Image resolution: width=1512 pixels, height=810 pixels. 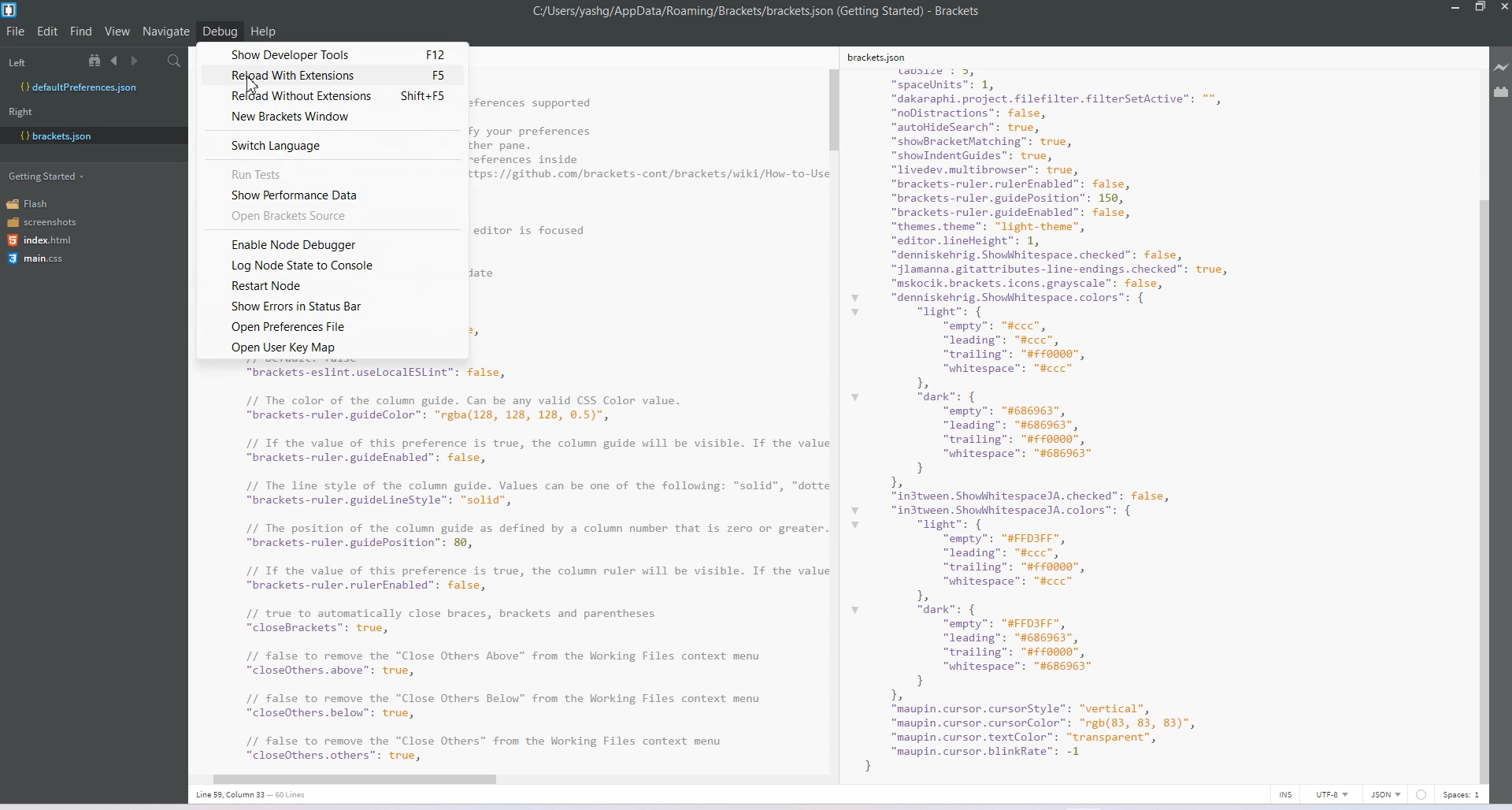 I want to click on Show Developer Tools F12, so click(x=334, y=53).